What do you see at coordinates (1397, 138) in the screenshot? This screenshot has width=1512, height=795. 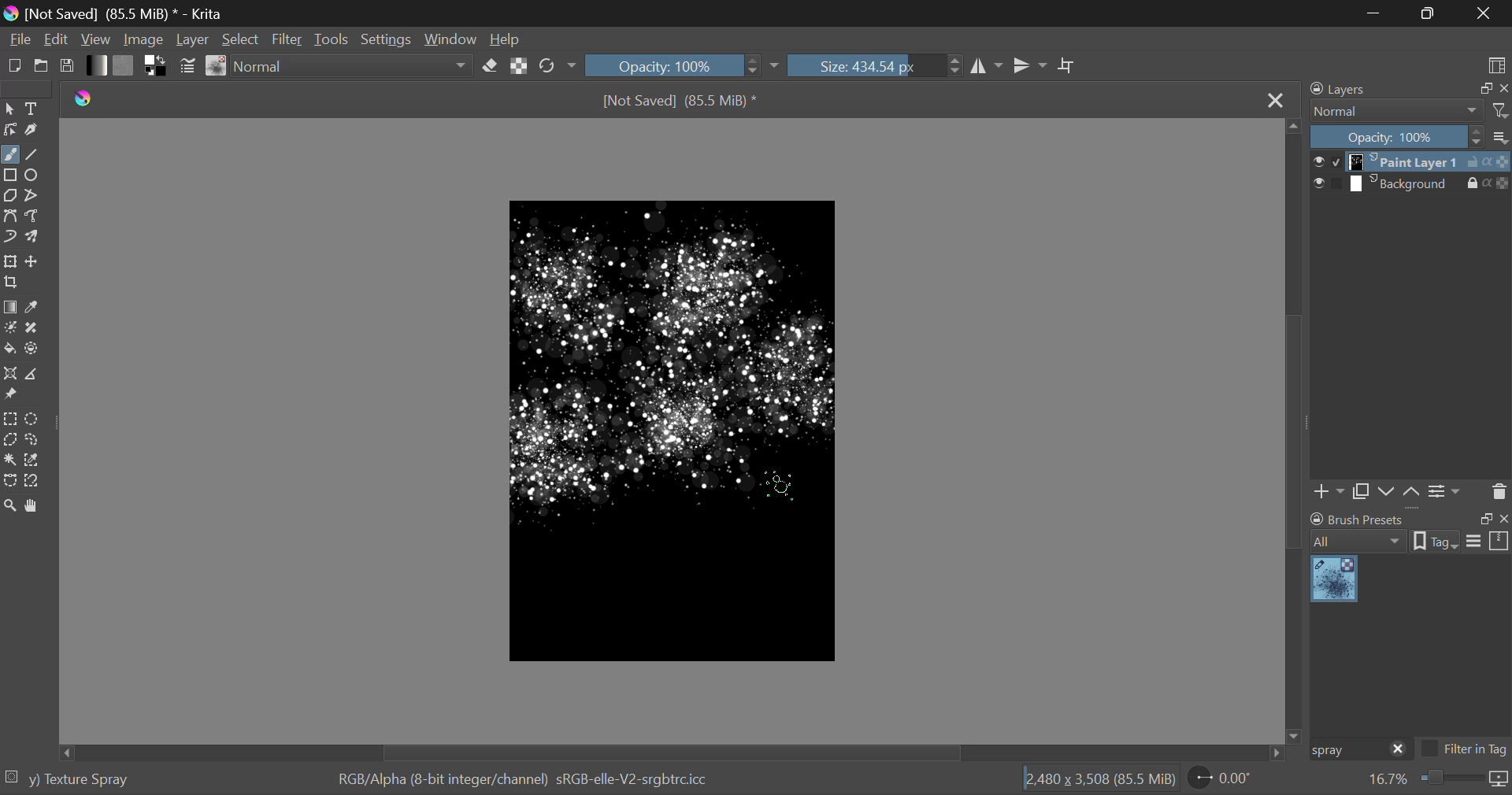 I see `Opacity: 100%` at bounding box center [1397, 138].